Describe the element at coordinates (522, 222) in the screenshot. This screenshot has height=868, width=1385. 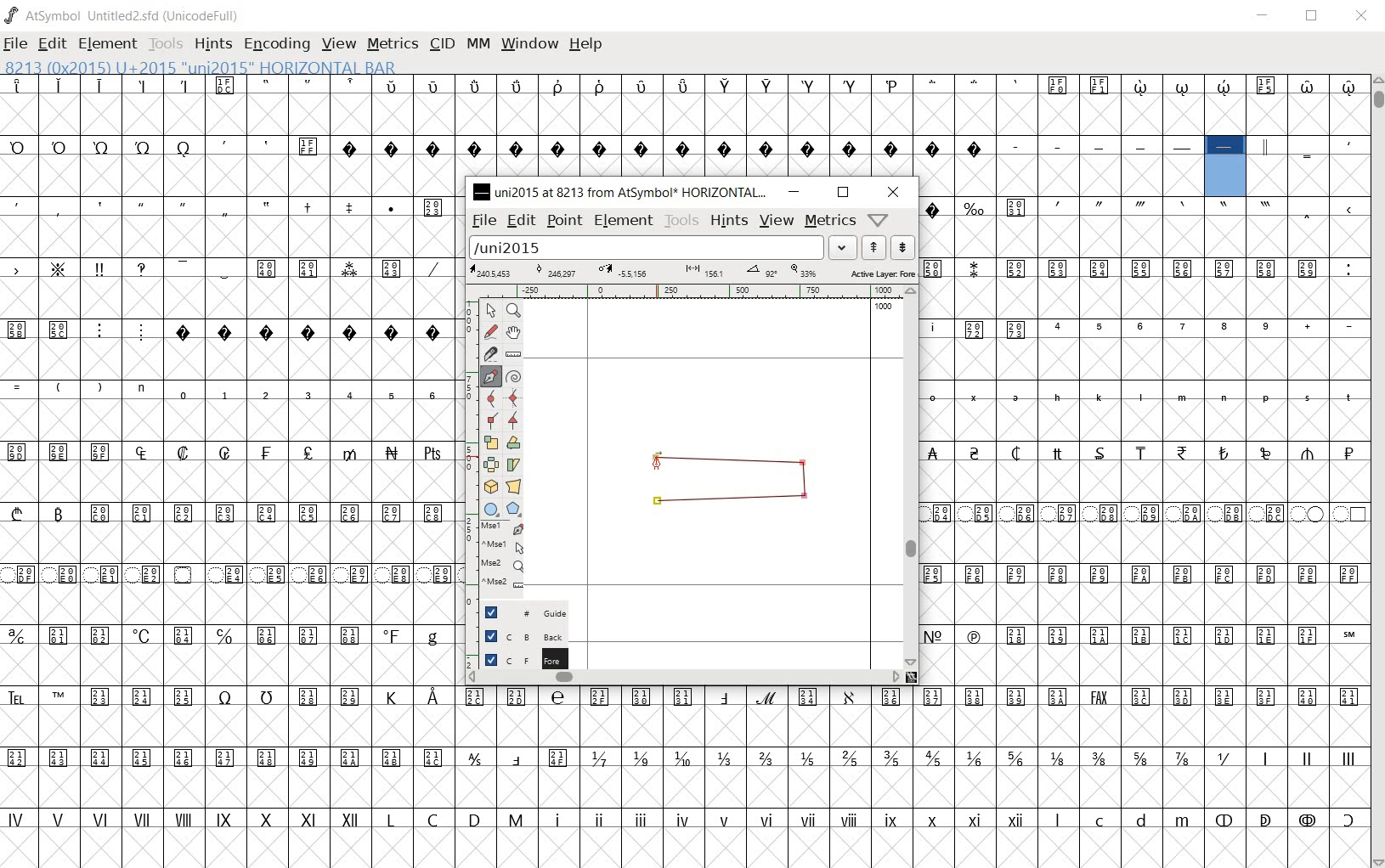
I see `edit` at that location.